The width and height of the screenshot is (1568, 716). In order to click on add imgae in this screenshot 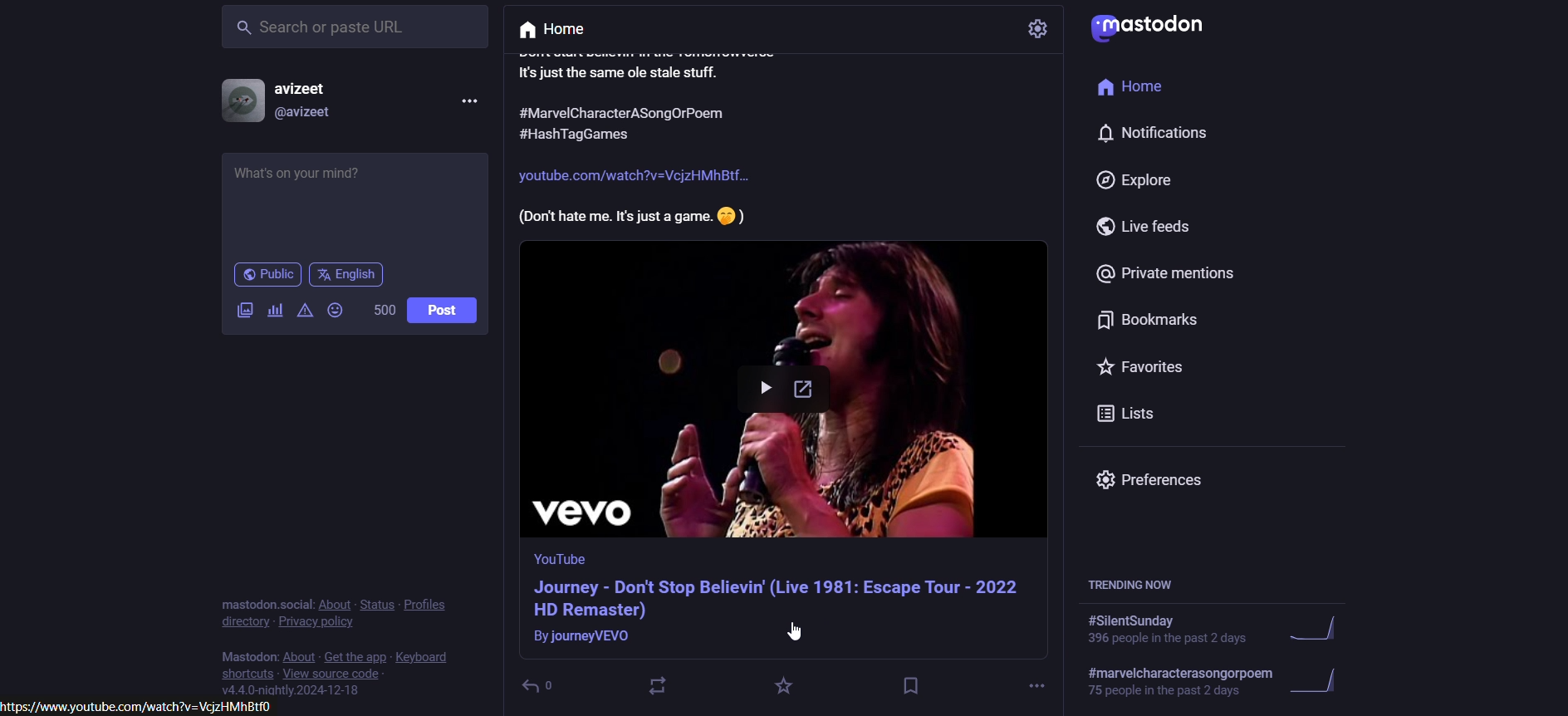, I will do `click(241, 315)`.